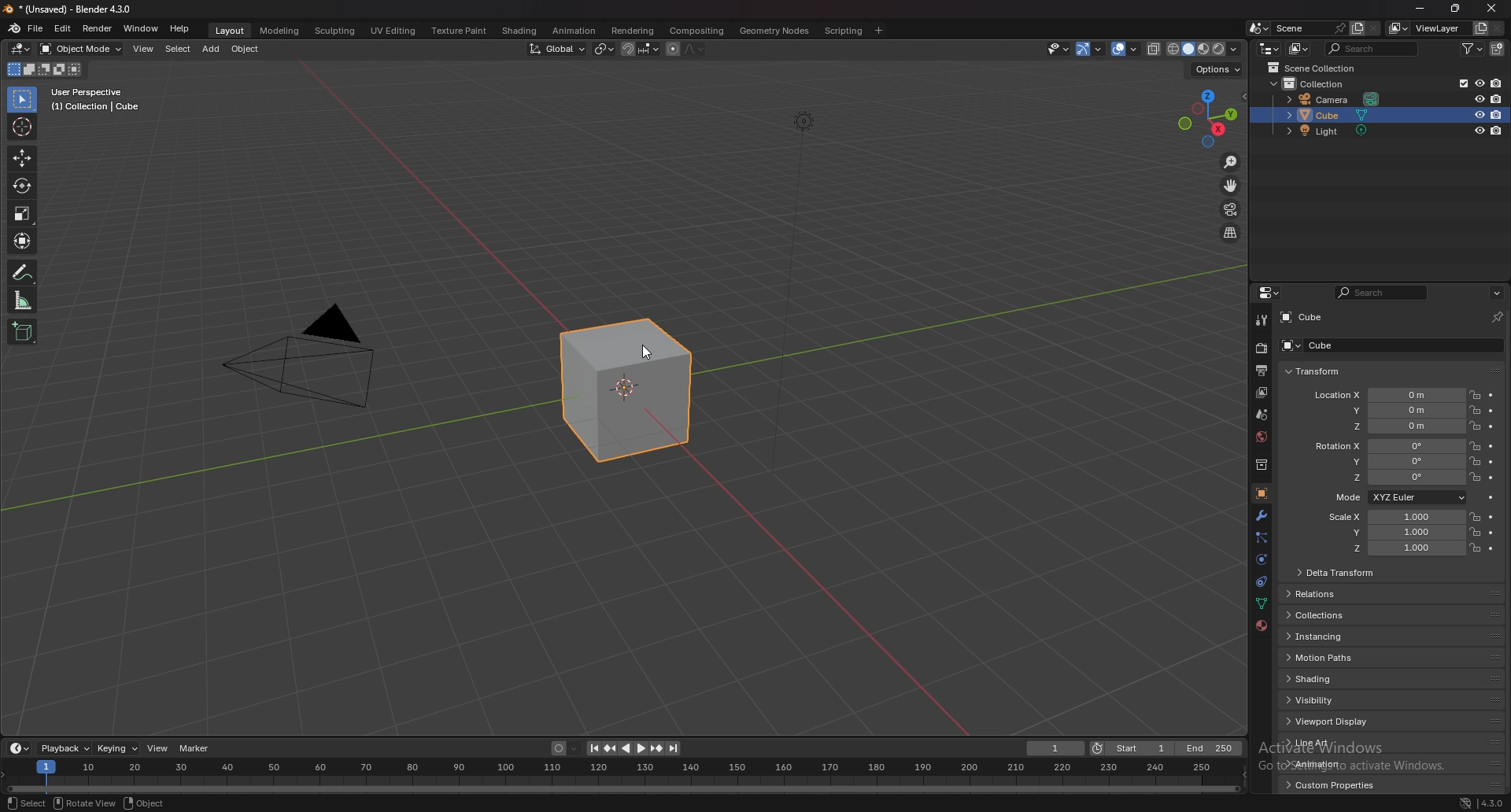  Describe the element at coordinates (22, 330) in the screenshot. I see `add cube` at that location.